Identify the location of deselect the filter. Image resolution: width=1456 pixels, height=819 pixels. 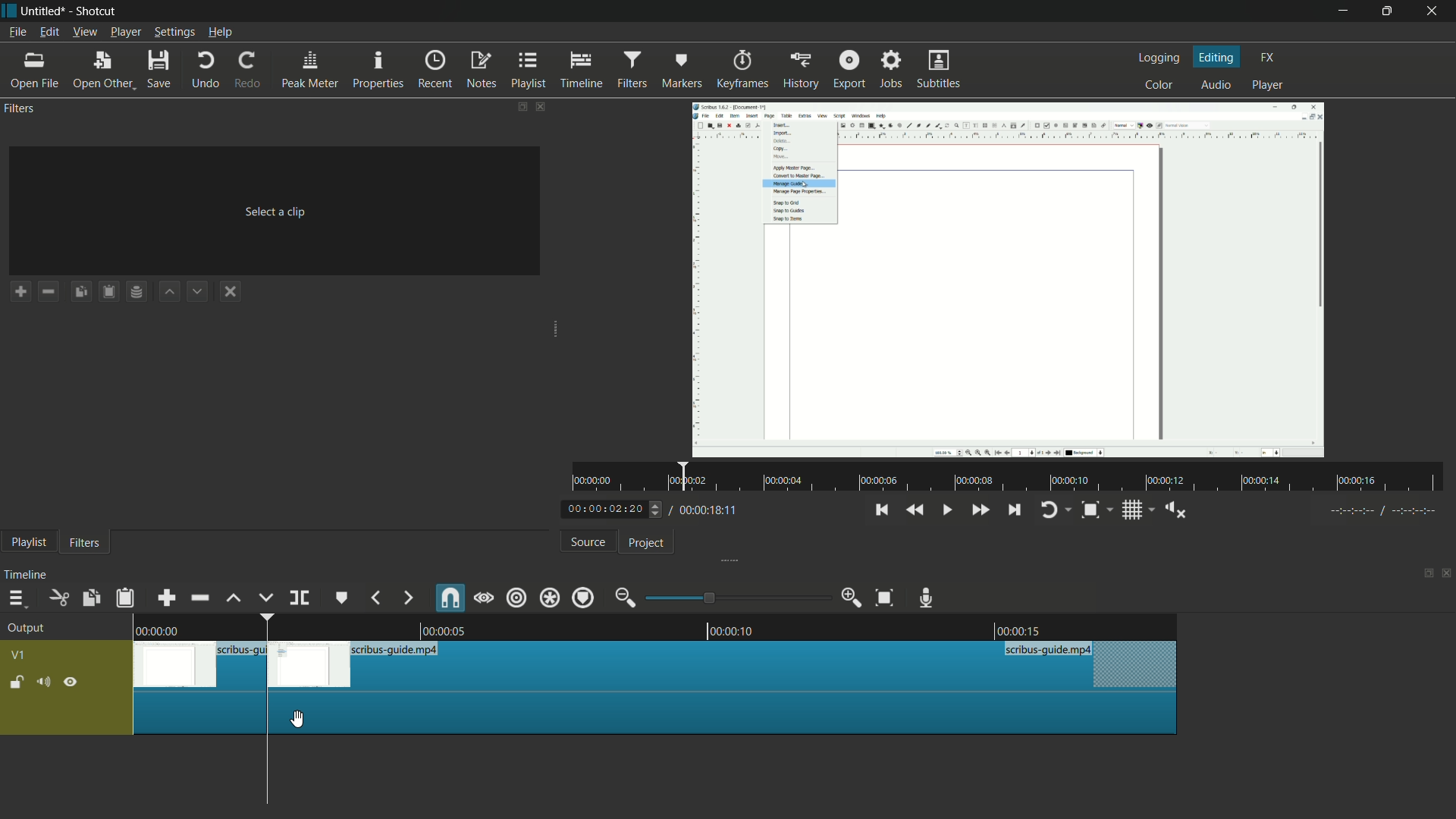
(227, 293).